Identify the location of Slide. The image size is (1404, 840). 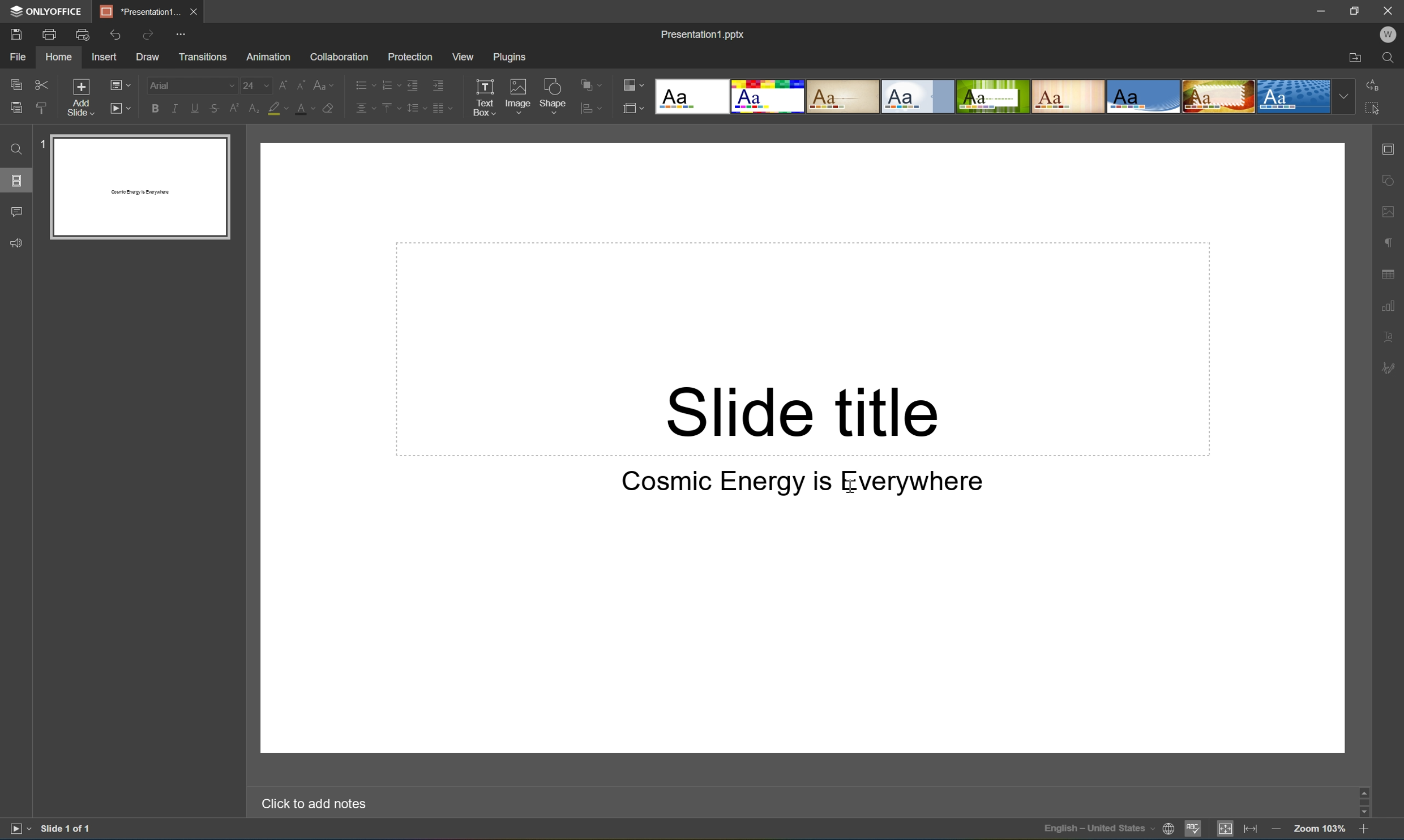
(140, 187).